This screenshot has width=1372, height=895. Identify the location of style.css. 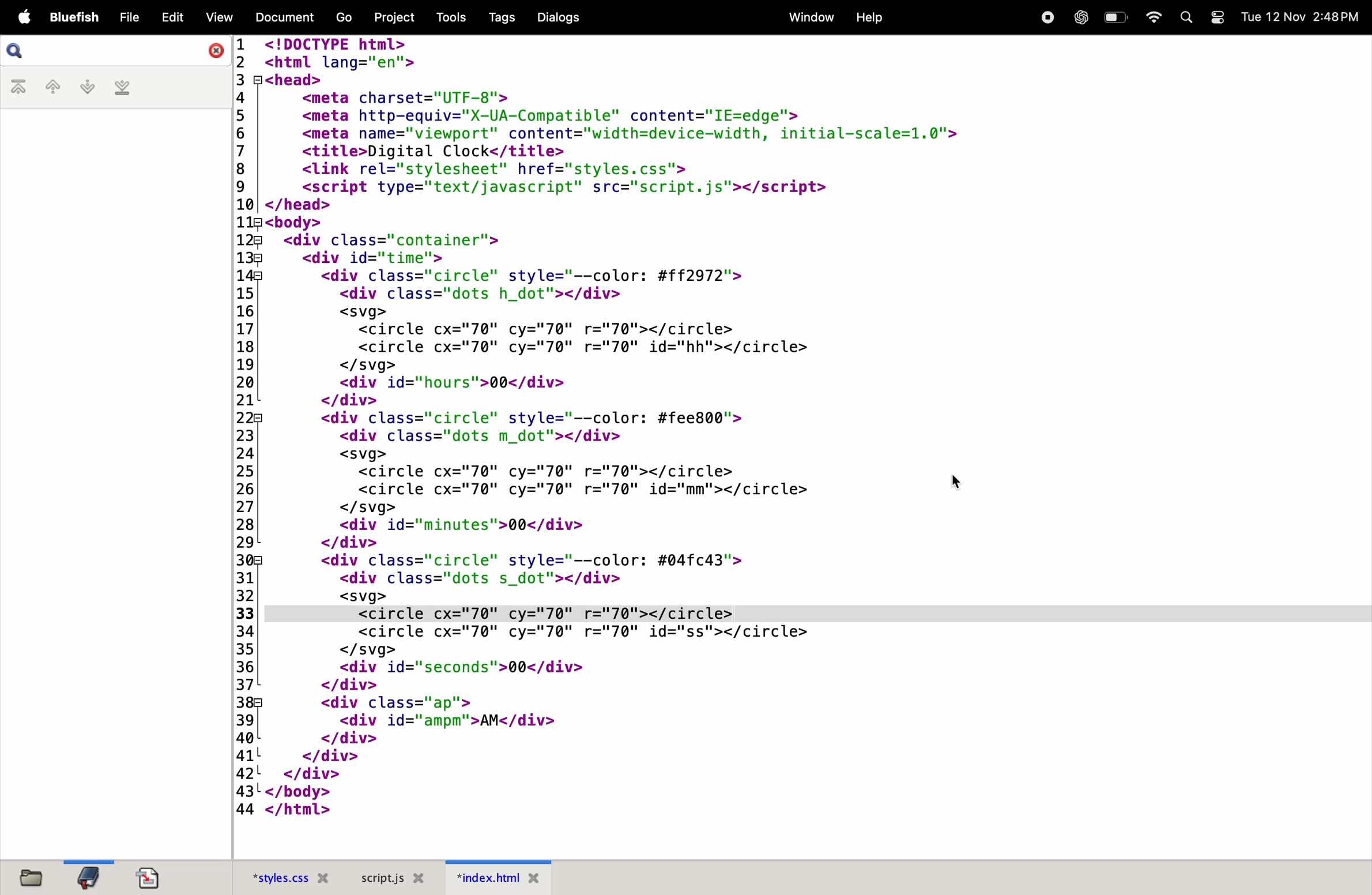
(286, 874).